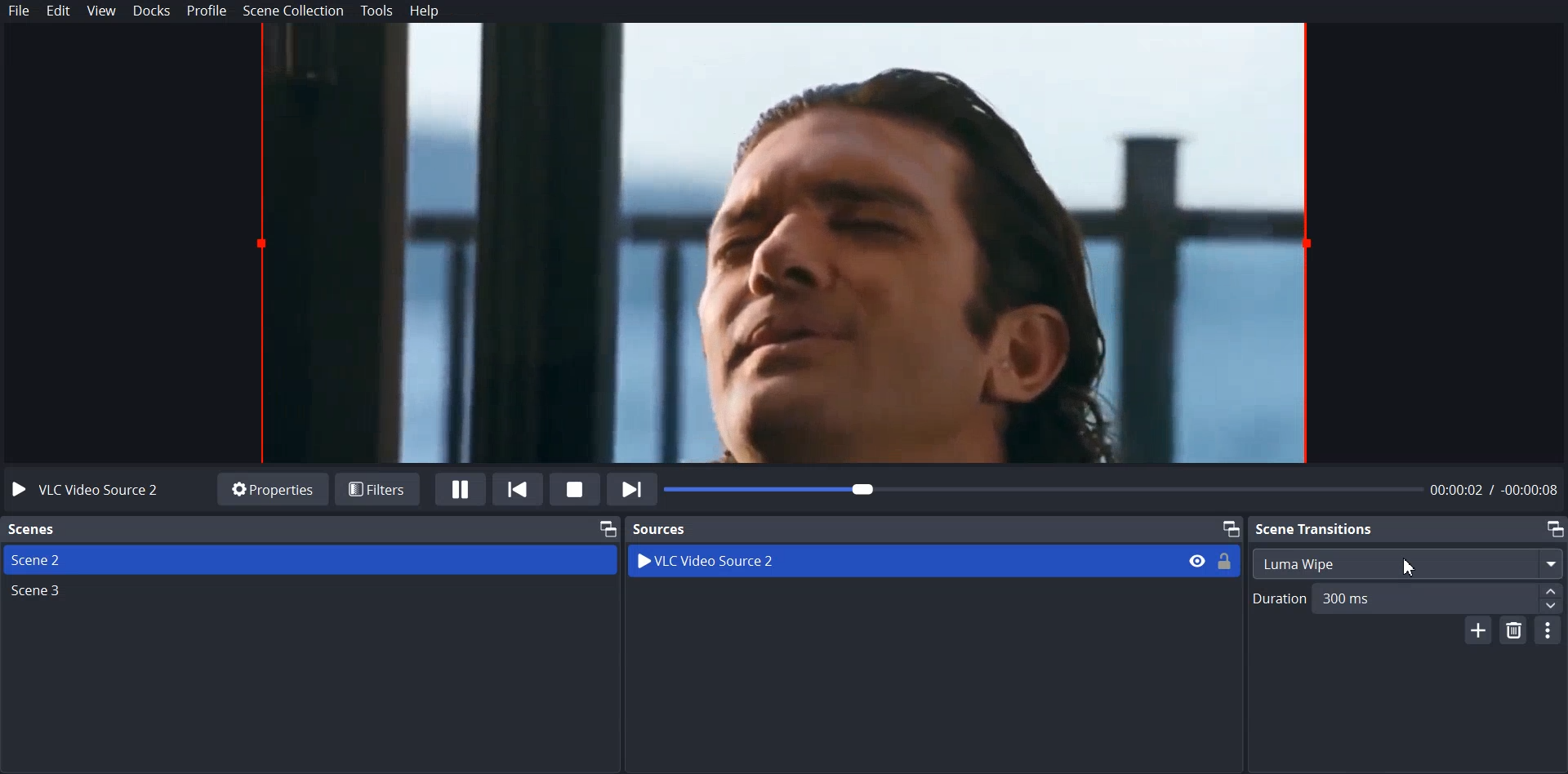 This screenshot has height=774, width=1568. Describe the element at coordinates (310, 559) in the screenshot. I see `Source 2` at that location.